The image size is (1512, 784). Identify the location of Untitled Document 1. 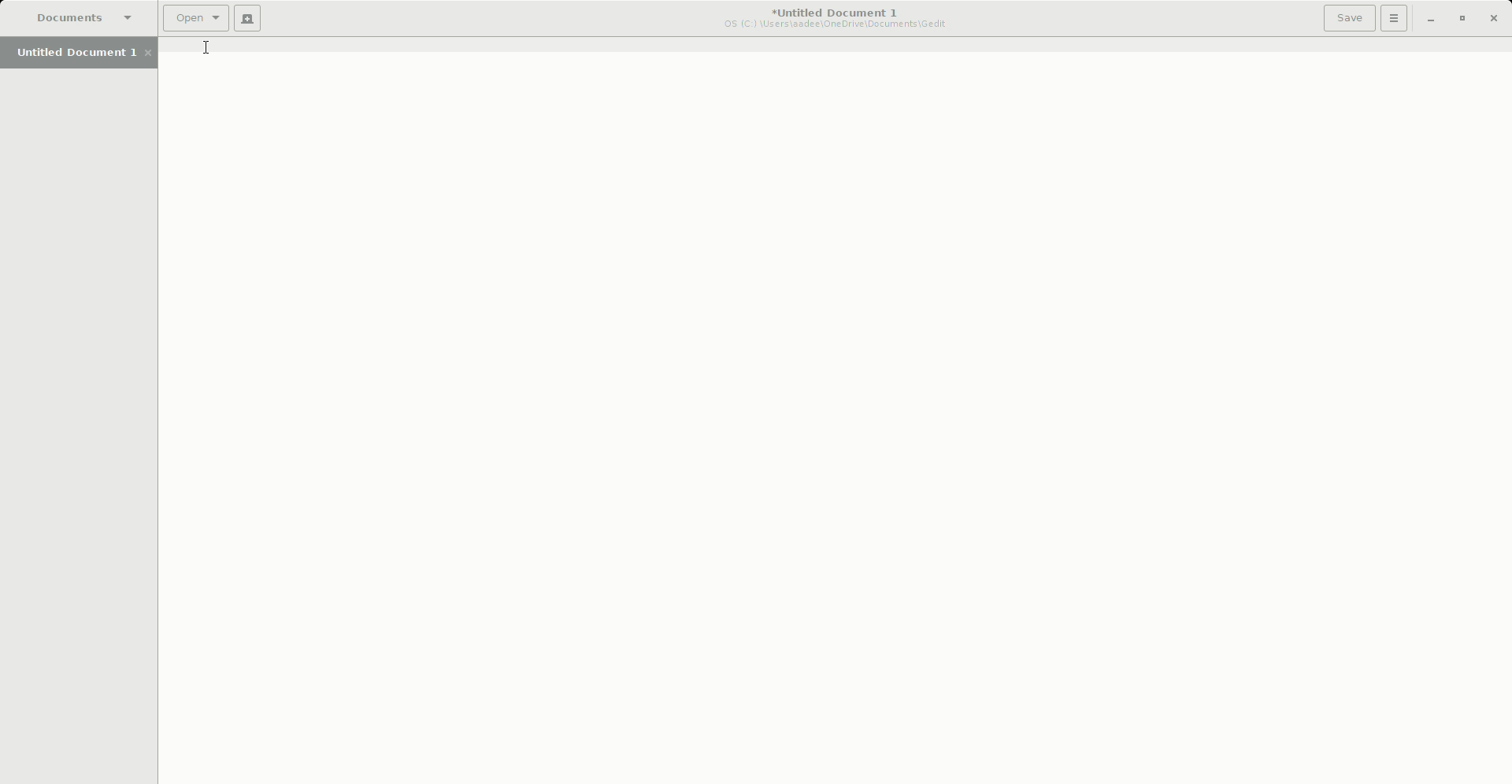
(85, 54).